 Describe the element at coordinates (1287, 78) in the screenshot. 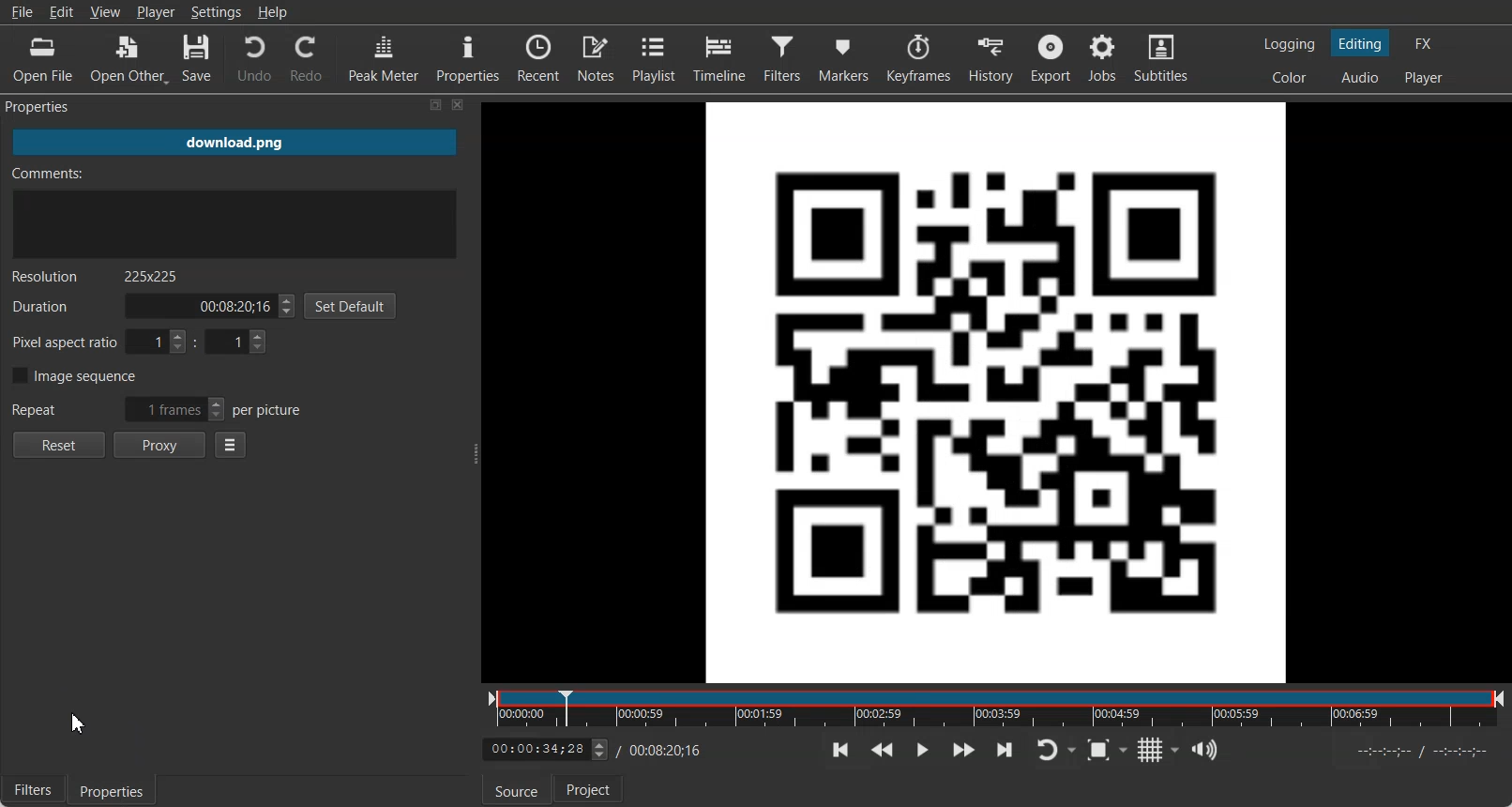

I see `Switch to Color layout` at that location.